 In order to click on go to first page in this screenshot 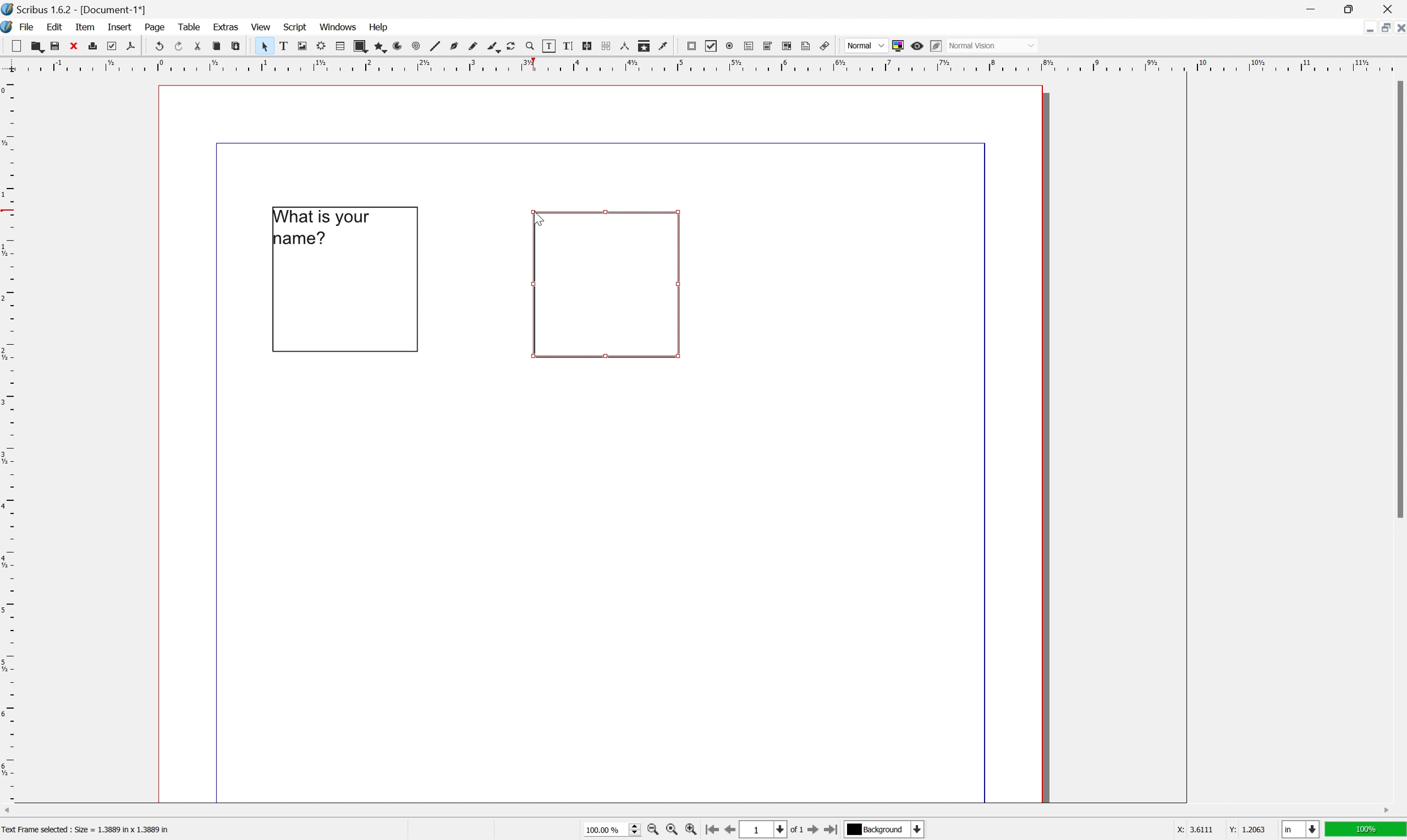, I will do `click(713, 830)`.